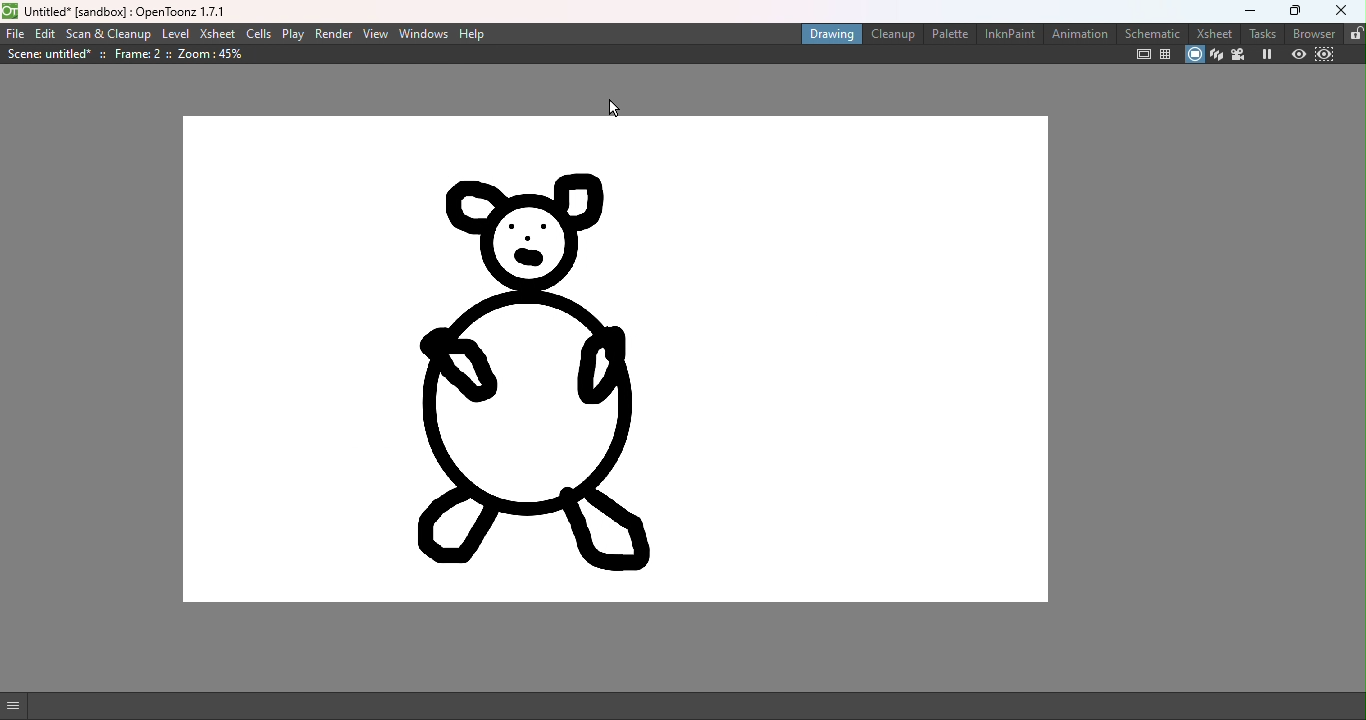  What do you see at coordinates (377, 36) in the screenshot?
I see `View` at bounding box center [377, 36].